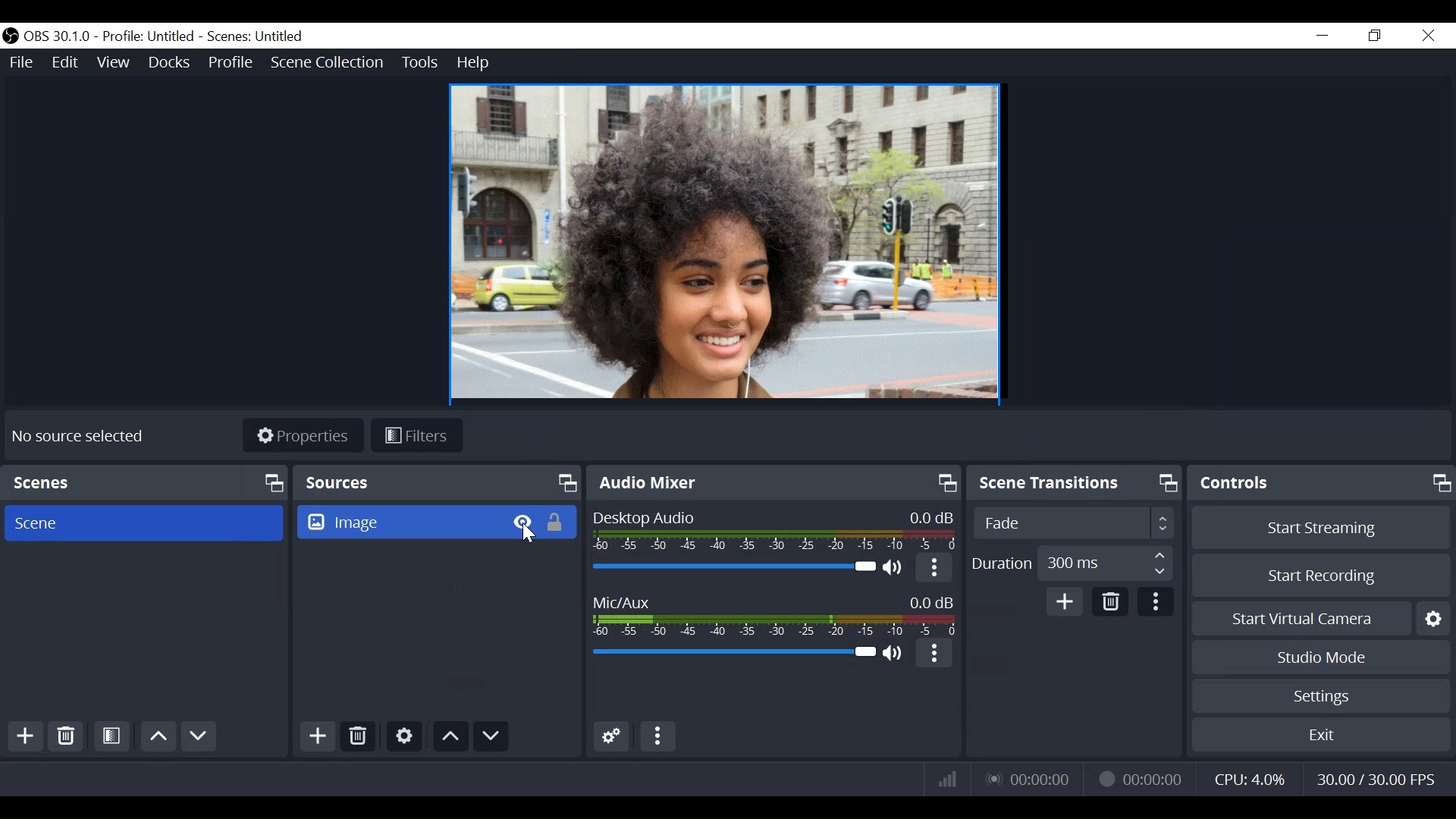 This screenshot has height=819, width=1456. What do you see at coordinates (611, 736) in the screenshot?
I see `Advanced audio settings` at bounding box center [611, 736].